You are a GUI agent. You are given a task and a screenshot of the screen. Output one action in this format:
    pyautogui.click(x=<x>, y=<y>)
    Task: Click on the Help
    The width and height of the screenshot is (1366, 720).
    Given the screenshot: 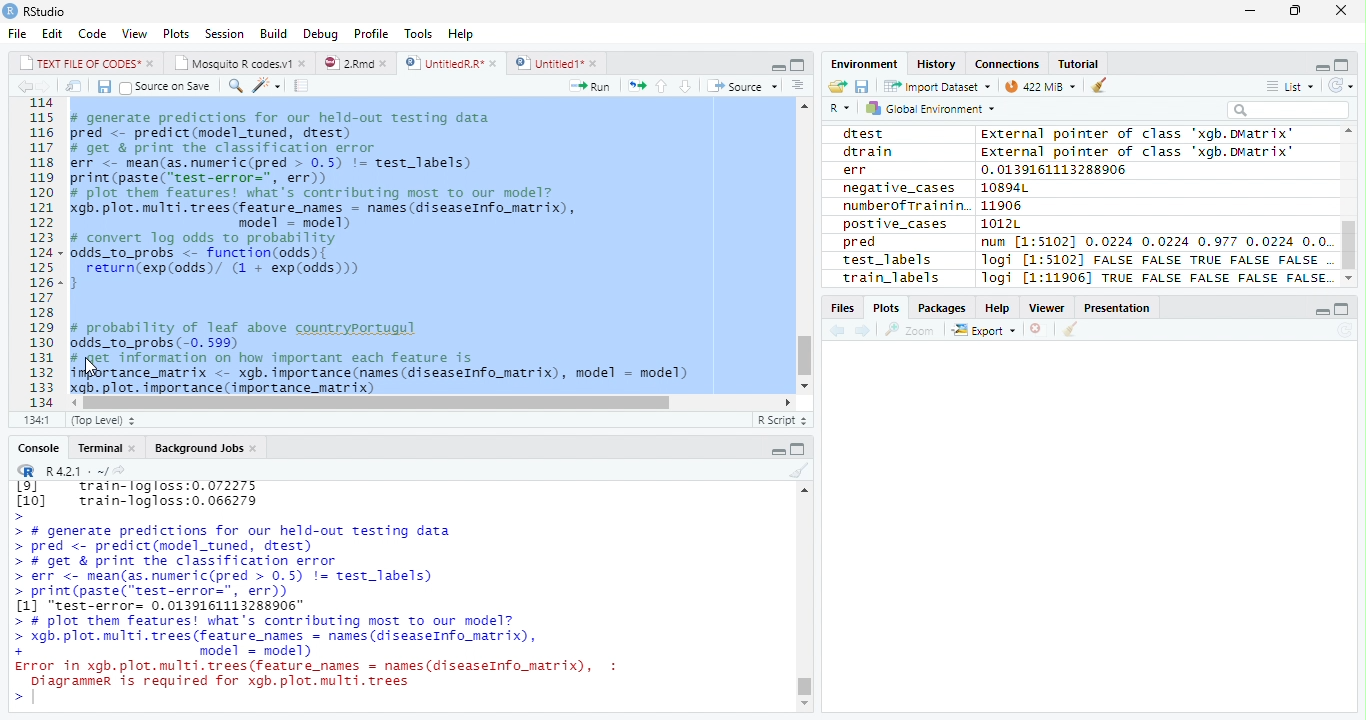 What is the action you would take?
    pyautogui.click(x=463, y=36)
    